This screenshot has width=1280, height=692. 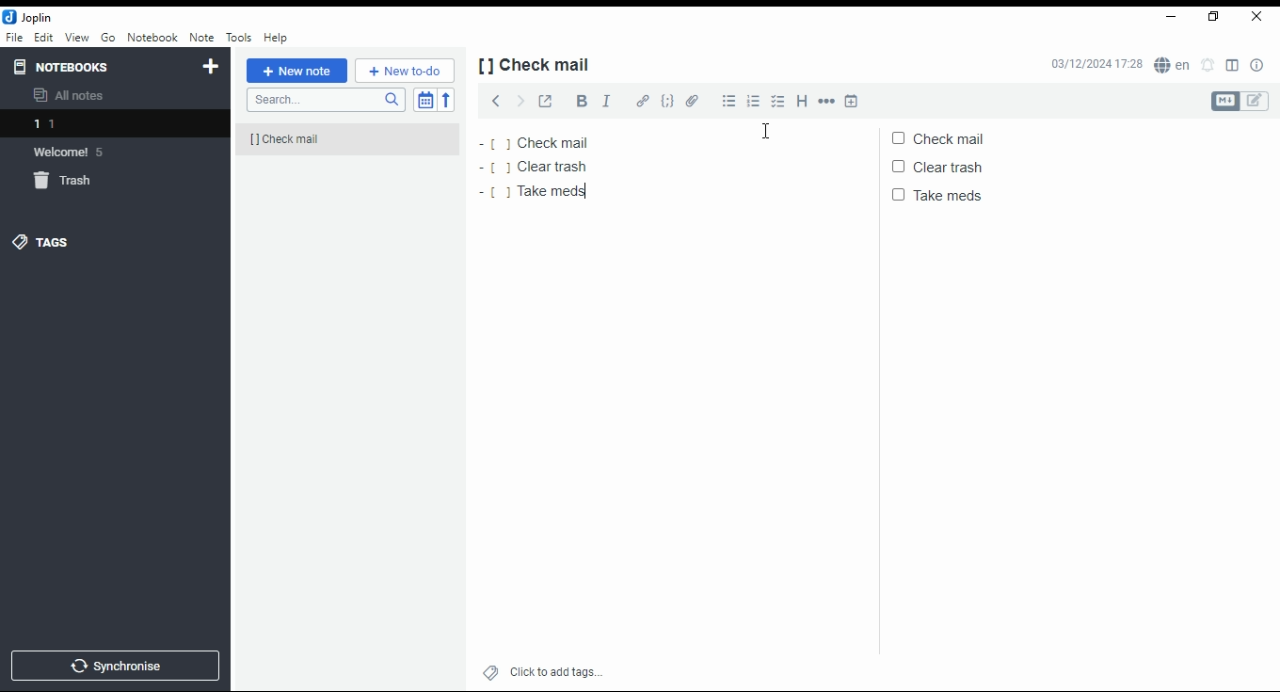 What do you see at coordinates (803, 101) in the screenshot?
I see `heading` at bounding box center [803, 101].